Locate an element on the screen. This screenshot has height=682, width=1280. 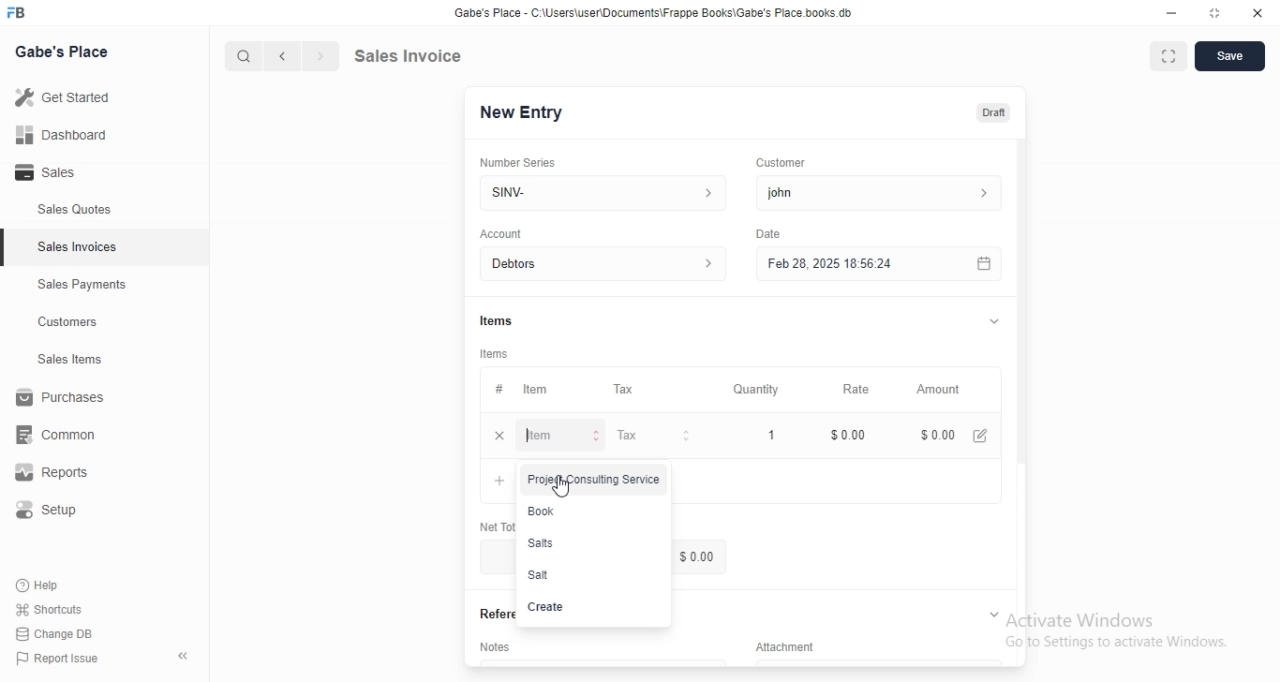
Draft is located at coordinates (995, 113).